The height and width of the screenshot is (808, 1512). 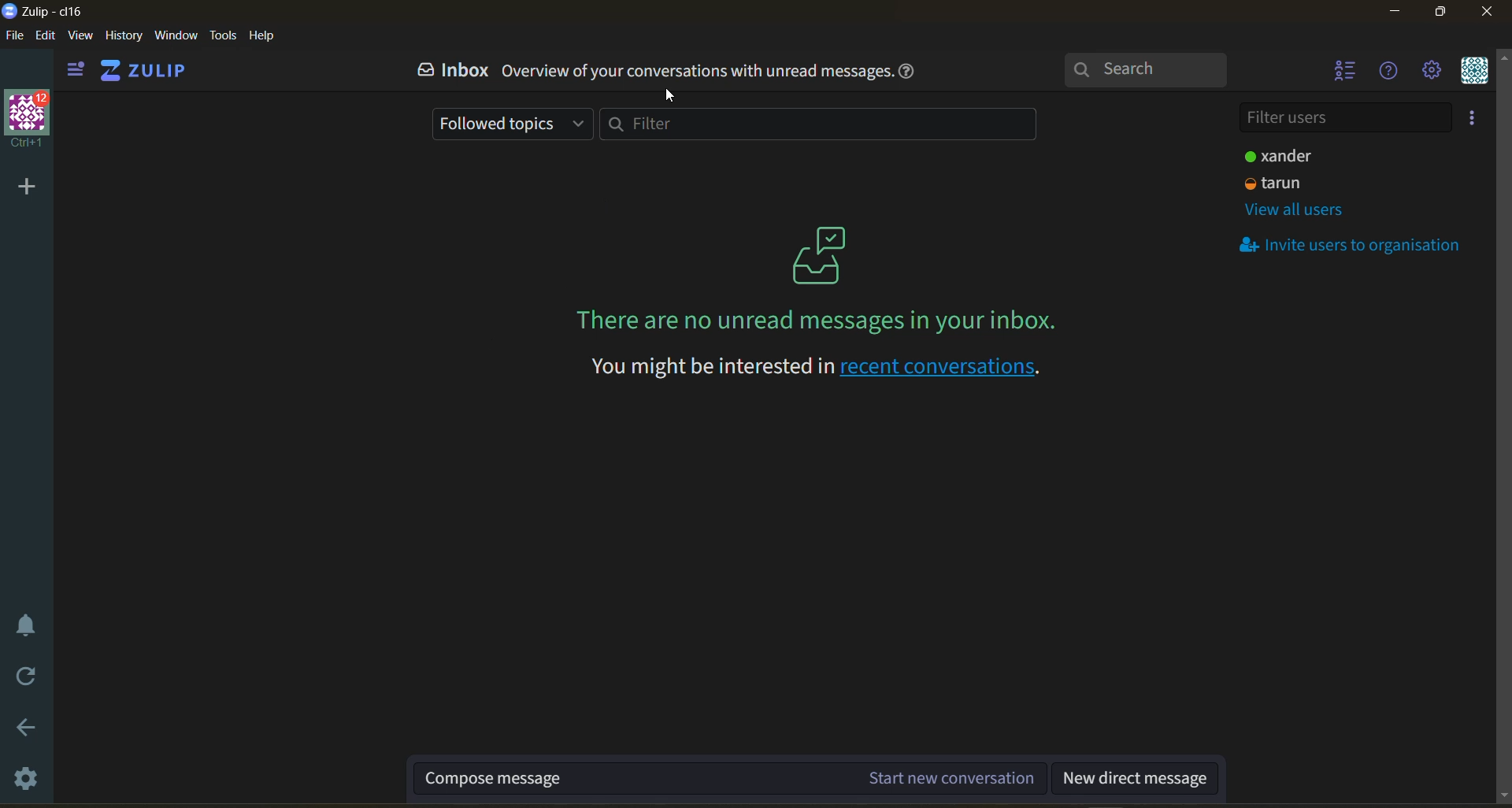 What do you see at coordinates (915, 75) in the screenshot?
I see `help` at bounding box center [915, 75].